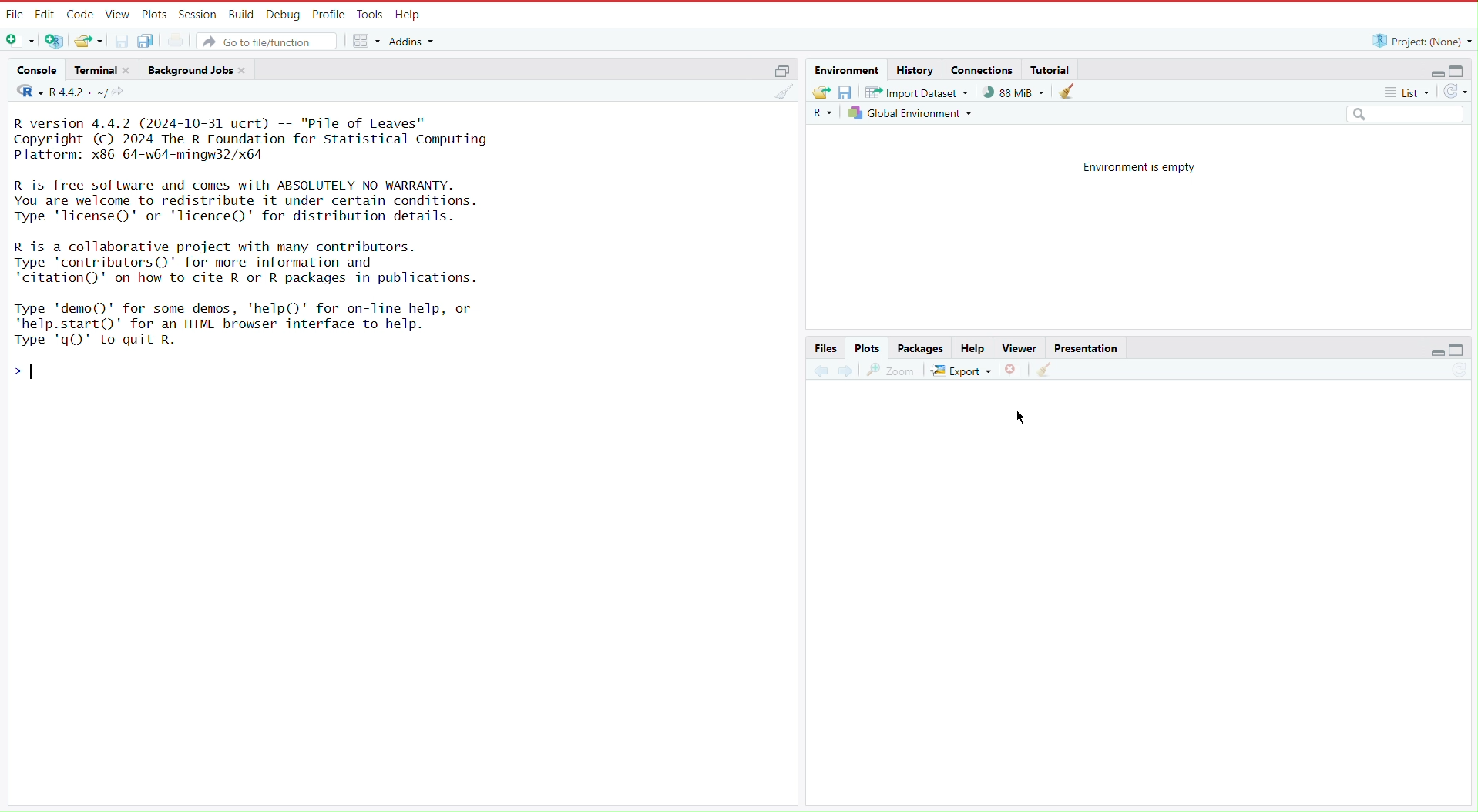 This screenshot has width=1478, height=812. I want to click on Help, so click(972, 348).